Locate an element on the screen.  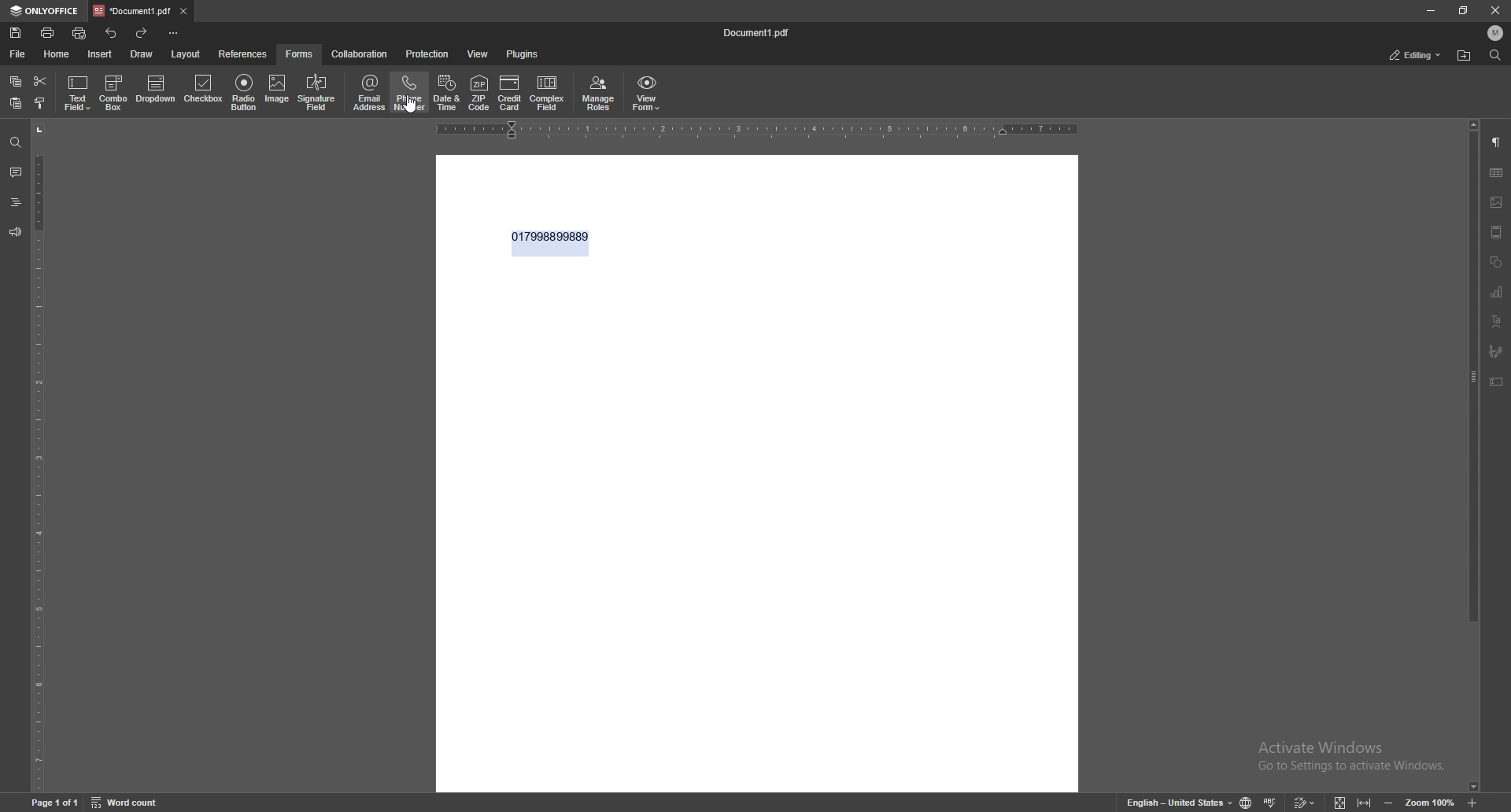
draw is located at coordinates (142, 54).